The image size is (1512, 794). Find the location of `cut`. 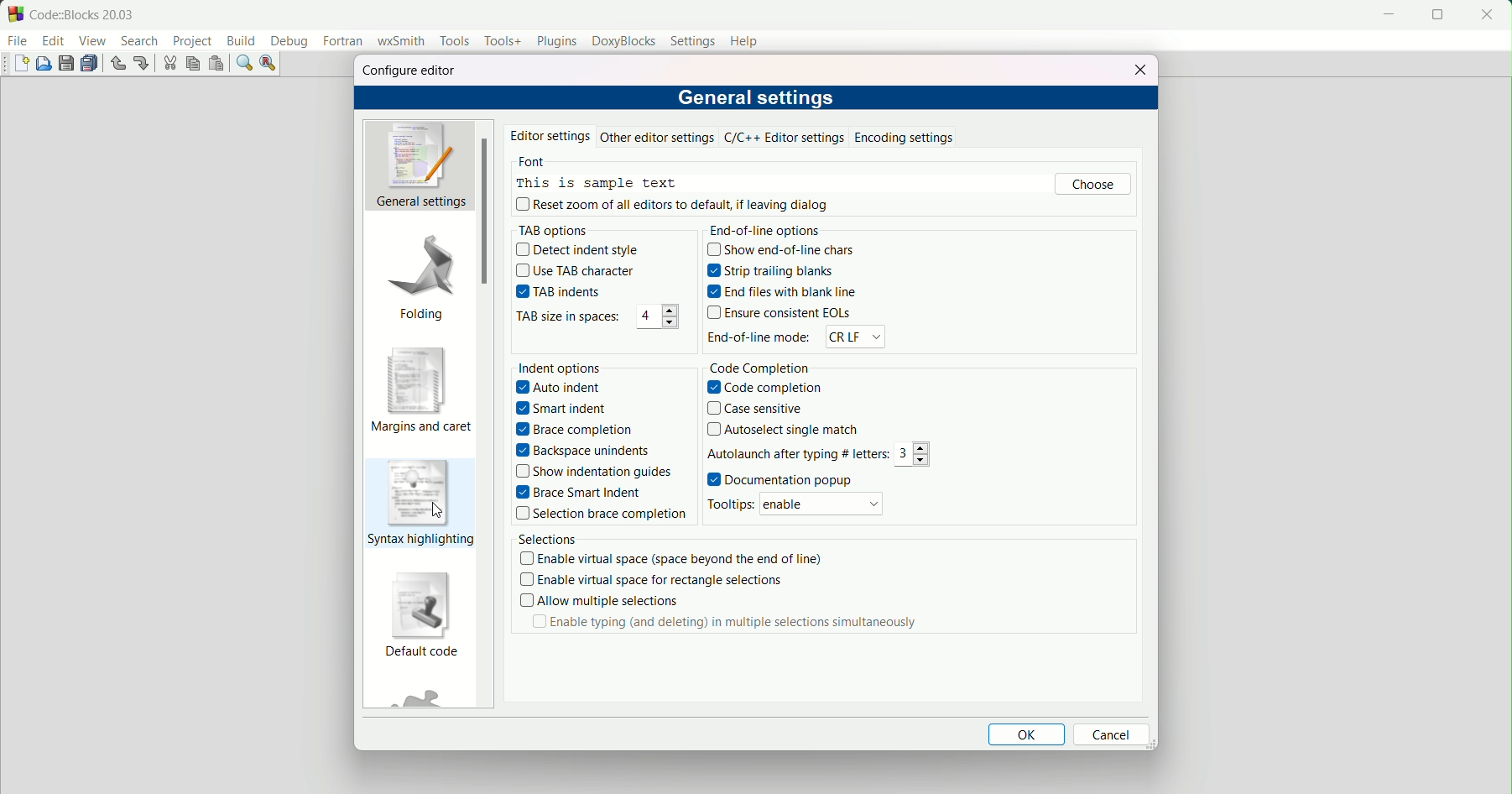

cut is located at coordinates (169, 64).